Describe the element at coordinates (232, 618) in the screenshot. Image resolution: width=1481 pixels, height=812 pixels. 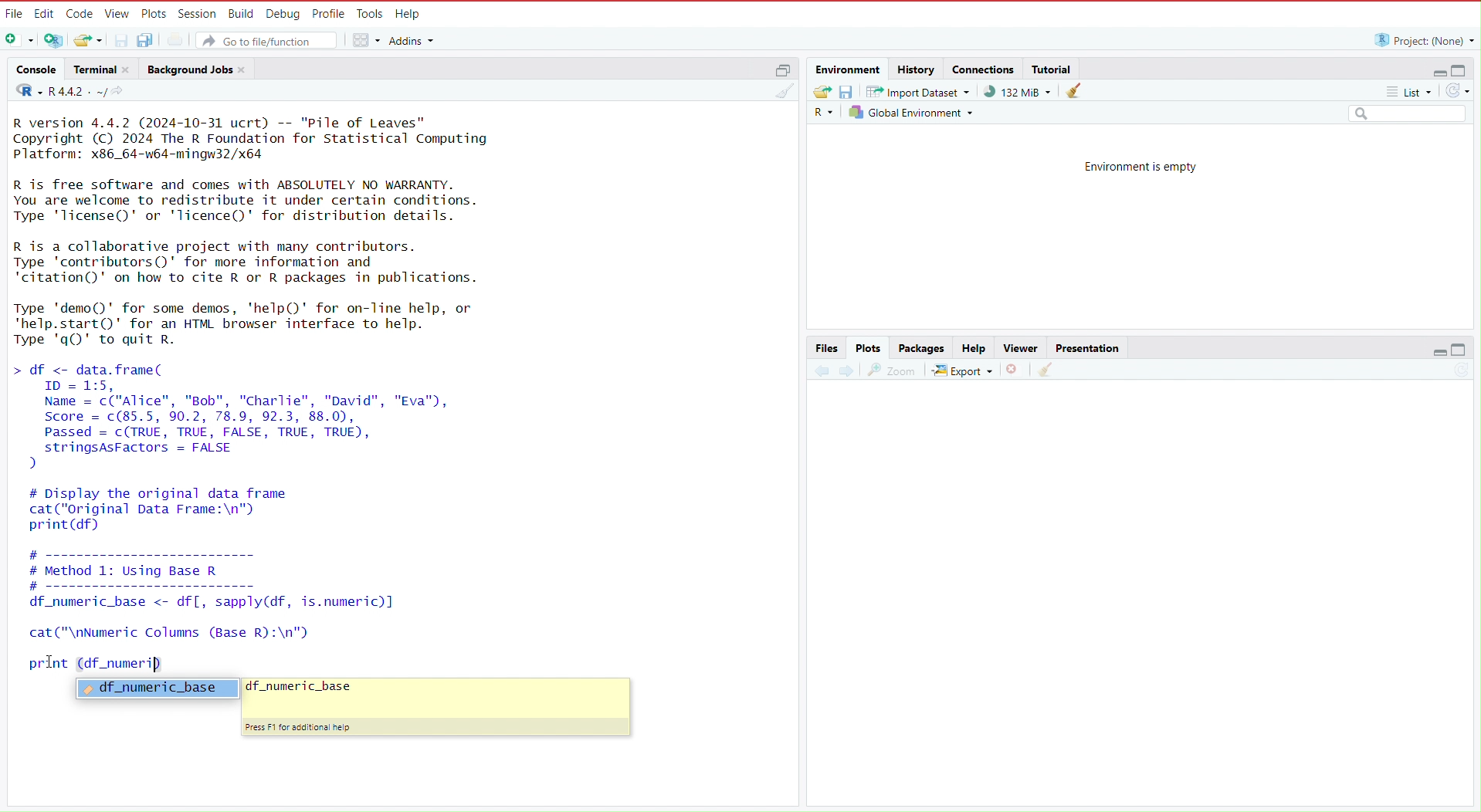
I see `df _numeric_base <- df[, sapply(df, is.numeric)]
cat ("\nNumeric Columns (Base R):\n")` at that location.